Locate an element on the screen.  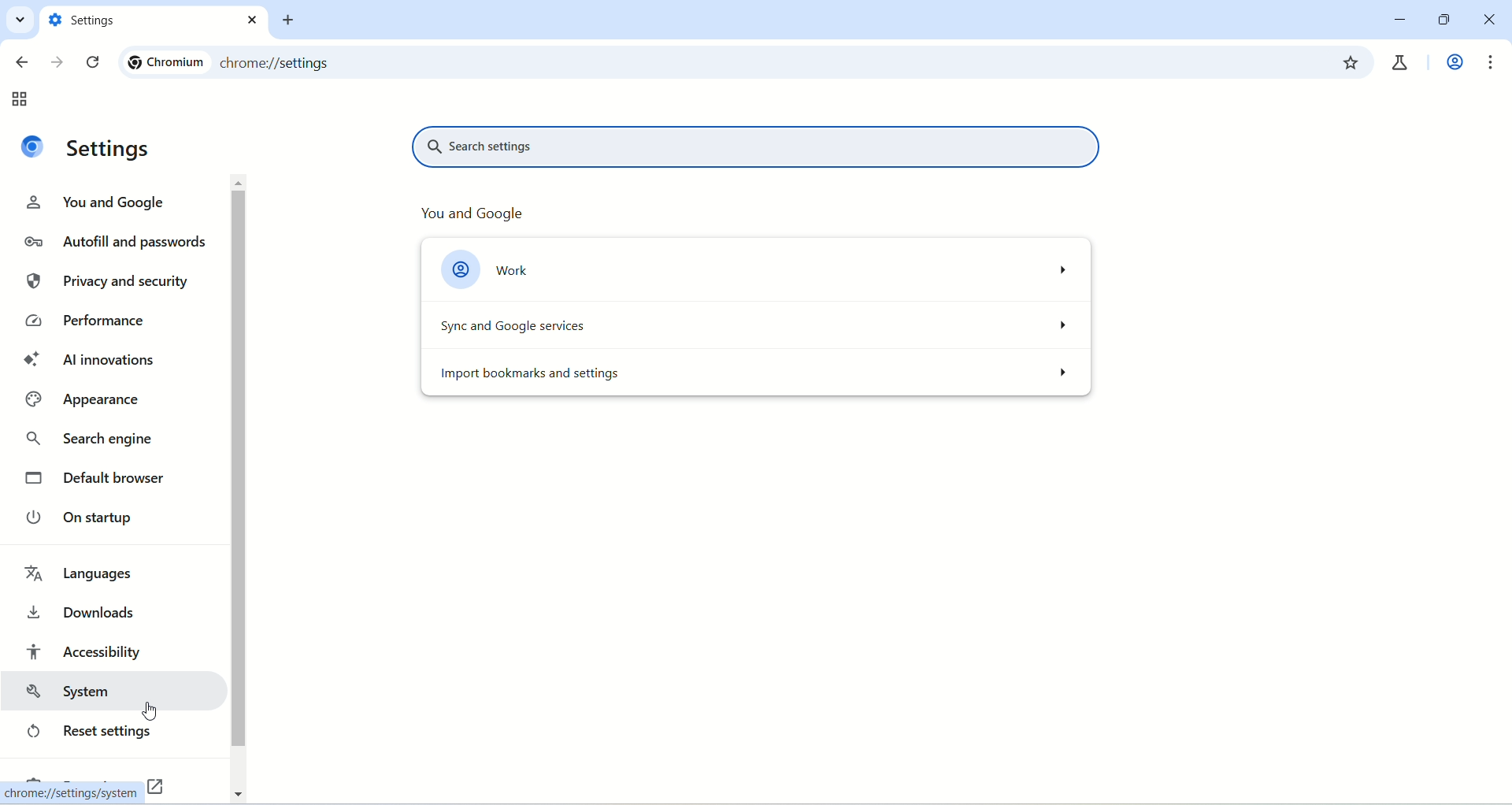
move up is located at coordinates (240, 183).